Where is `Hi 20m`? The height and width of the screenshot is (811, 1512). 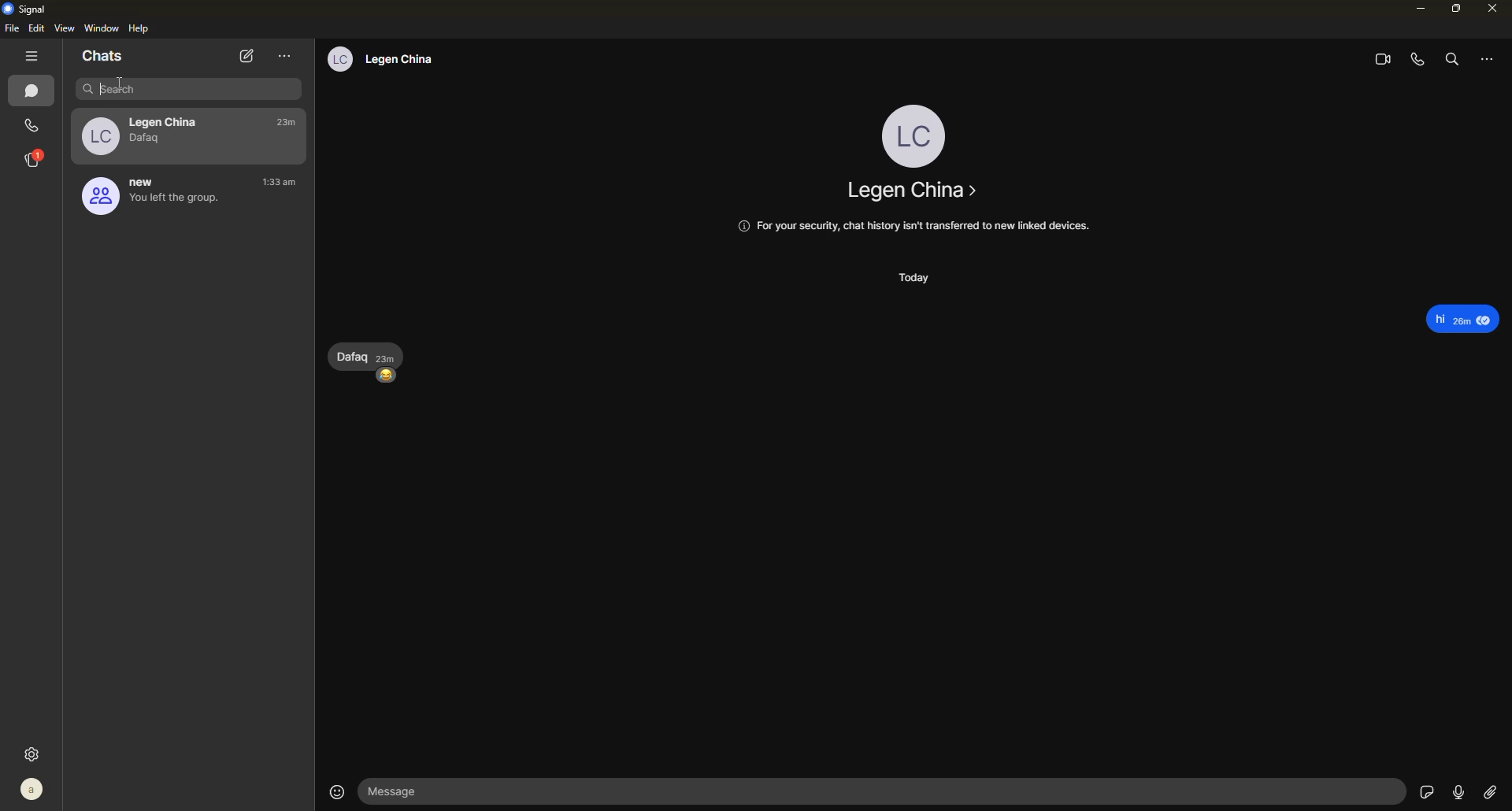
Hi 20m is located at coordinates (1463, 317).